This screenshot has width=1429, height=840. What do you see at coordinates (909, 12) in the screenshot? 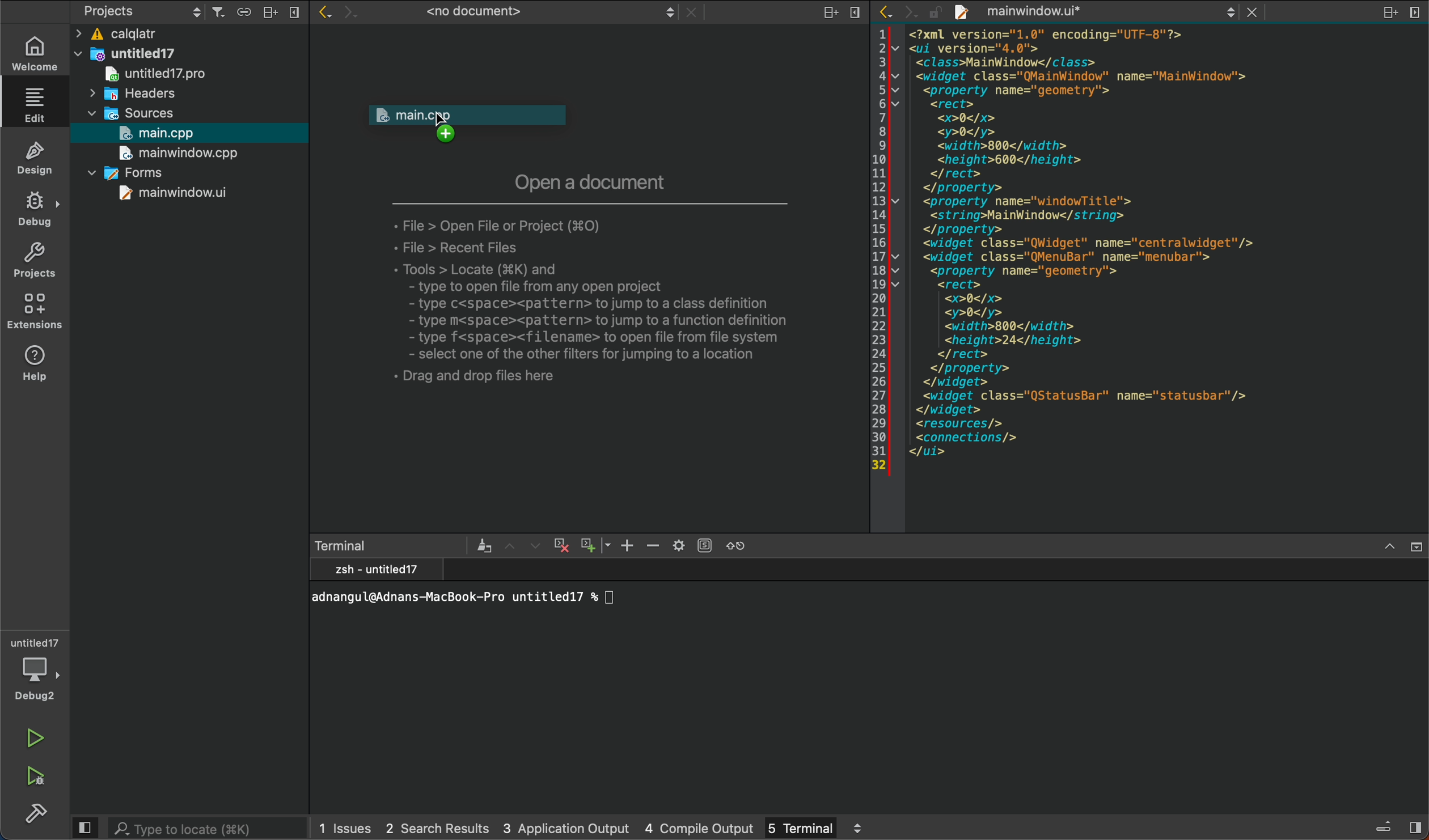
I see `go forward` at bounding box center [909, 12].